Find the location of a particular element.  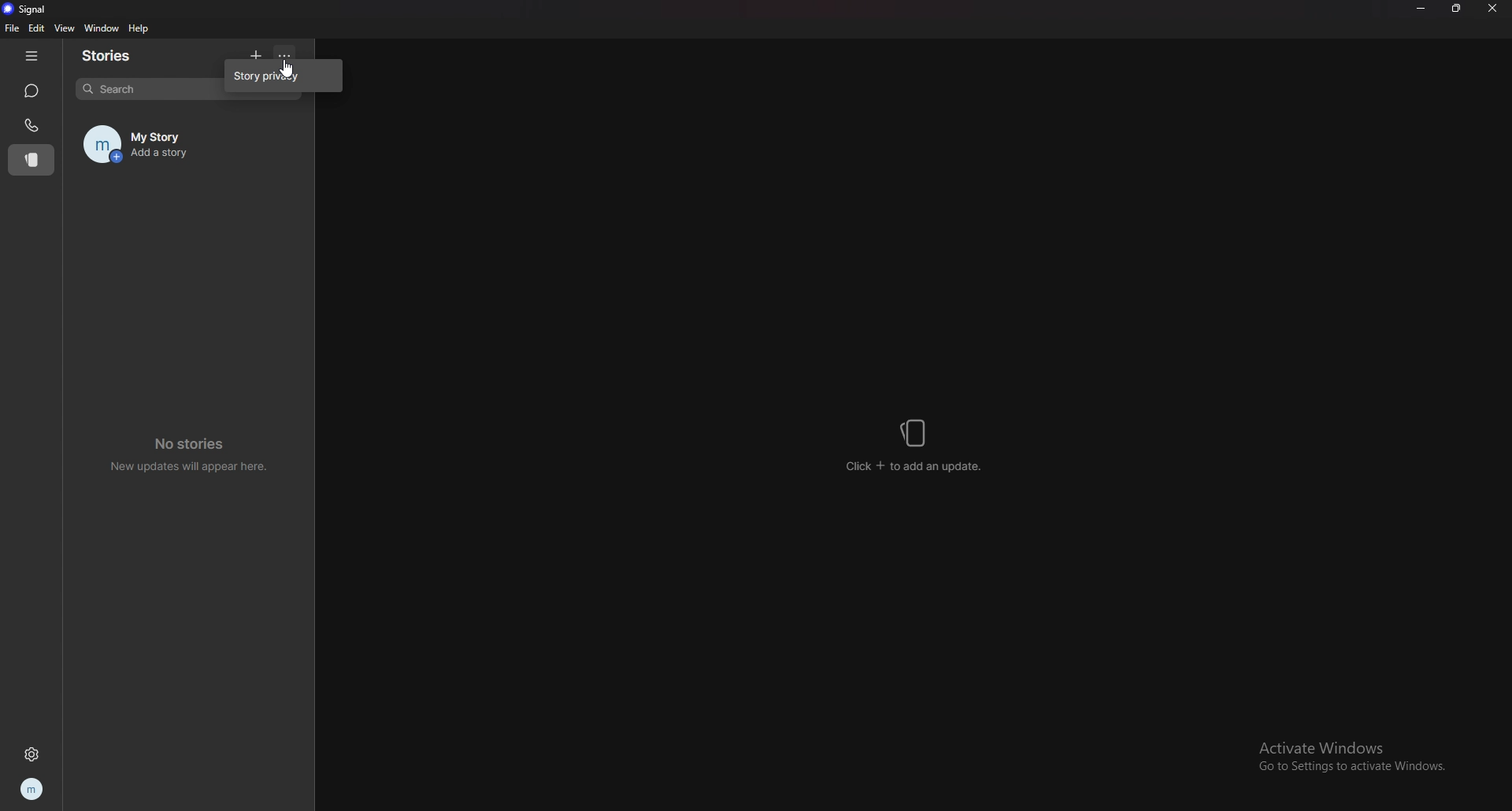

story privacy is located at coordinates (282, 76).